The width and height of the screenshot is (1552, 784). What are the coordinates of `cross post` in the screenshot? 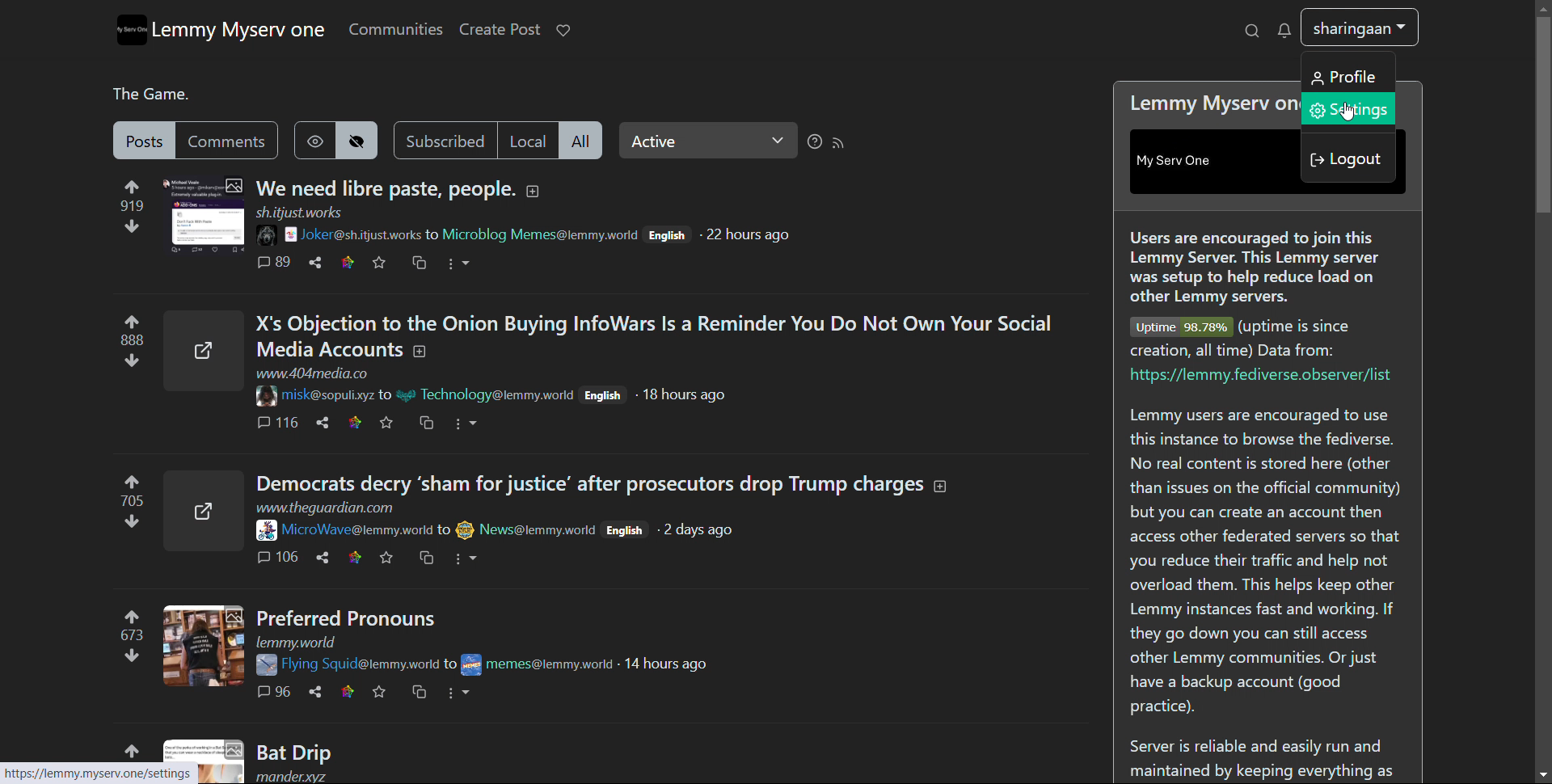 It's located at (420, 263).